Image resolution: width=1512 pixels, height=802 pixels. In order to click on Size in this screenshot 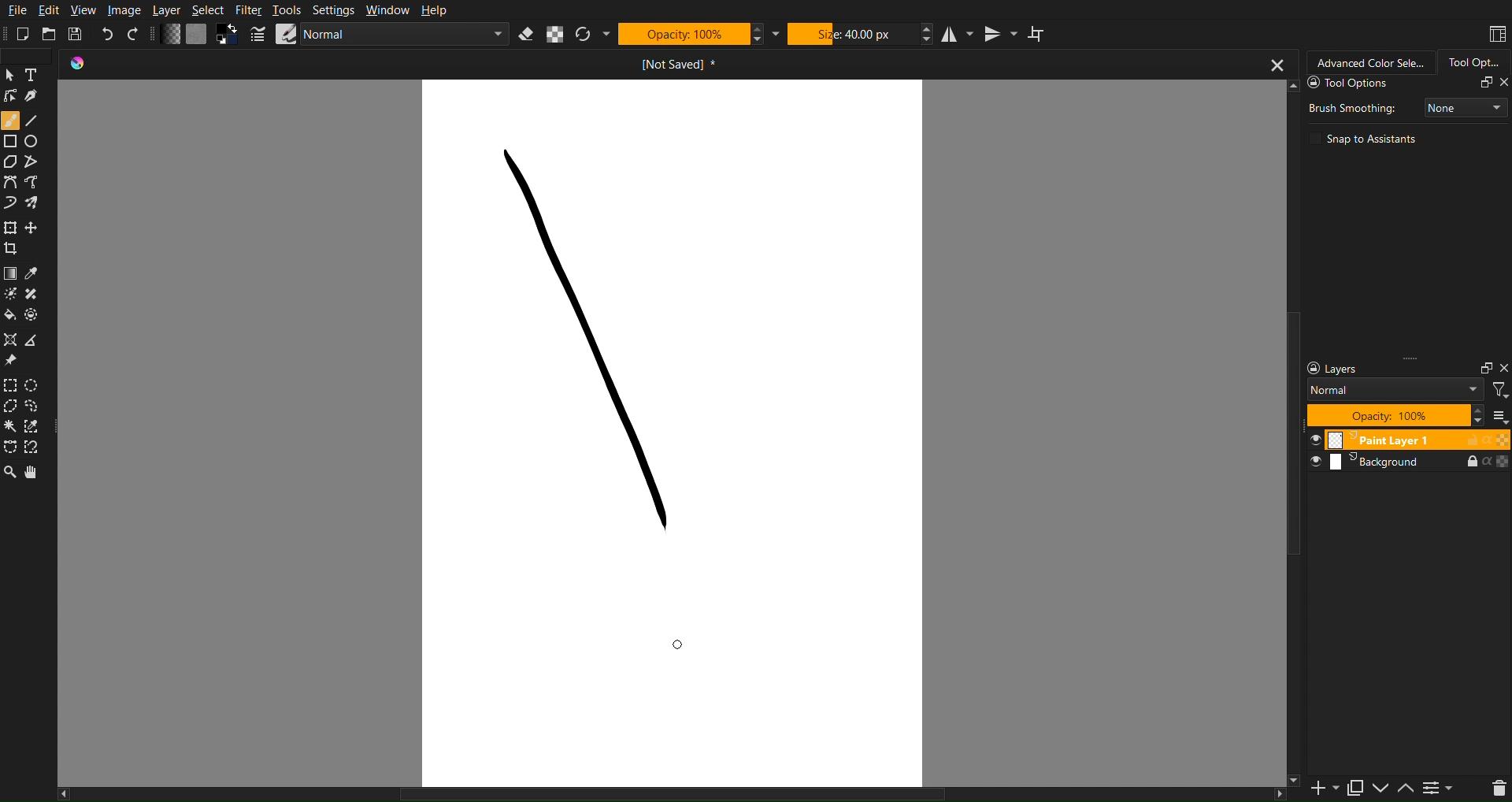, I will do `click(853, 34)`.